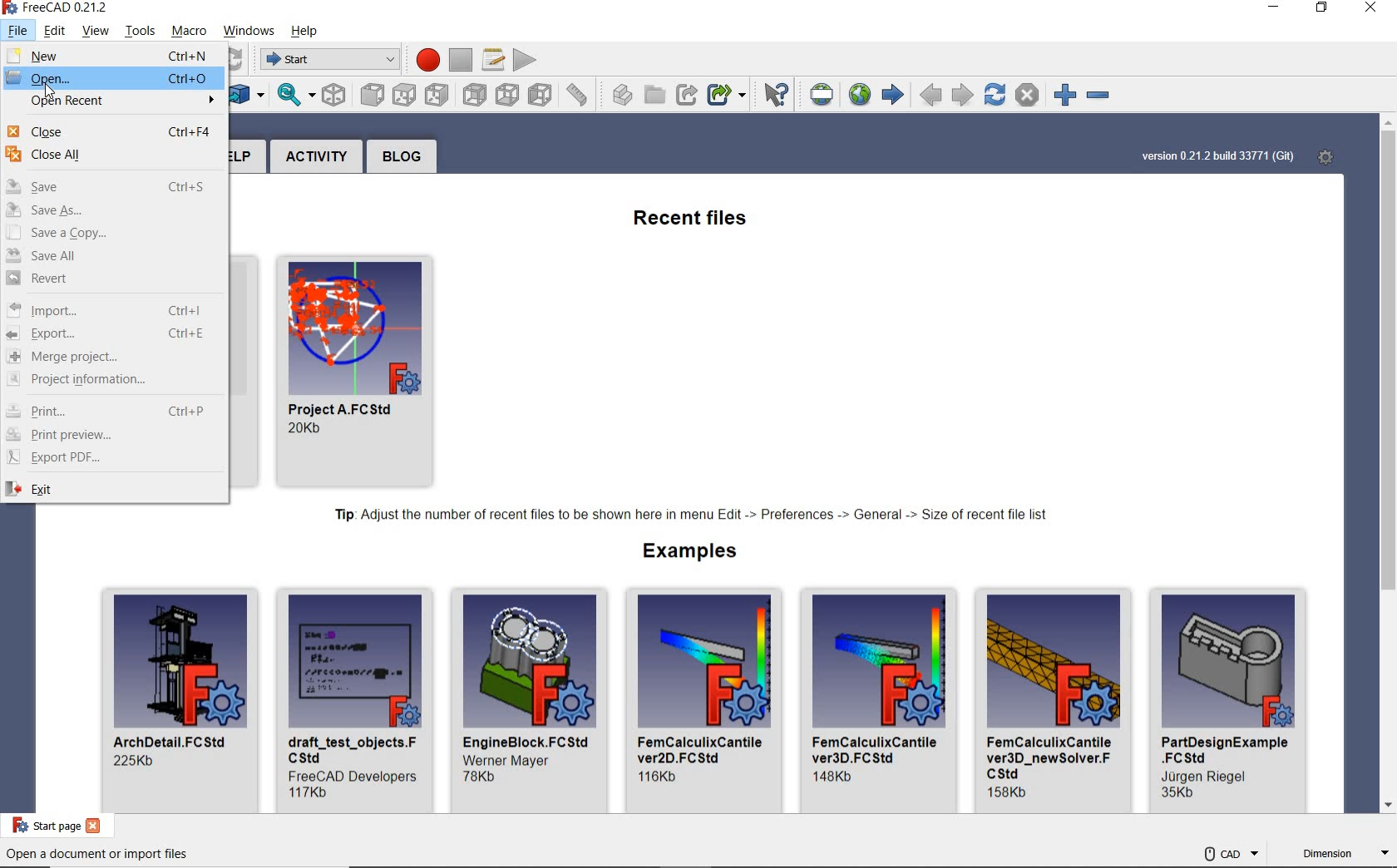 The height and width of the screenshot is (868, 1397). What do you see at coordinates (56, 32) in the screenshot?
I see `EDIT` at bounding box center [56, 32].